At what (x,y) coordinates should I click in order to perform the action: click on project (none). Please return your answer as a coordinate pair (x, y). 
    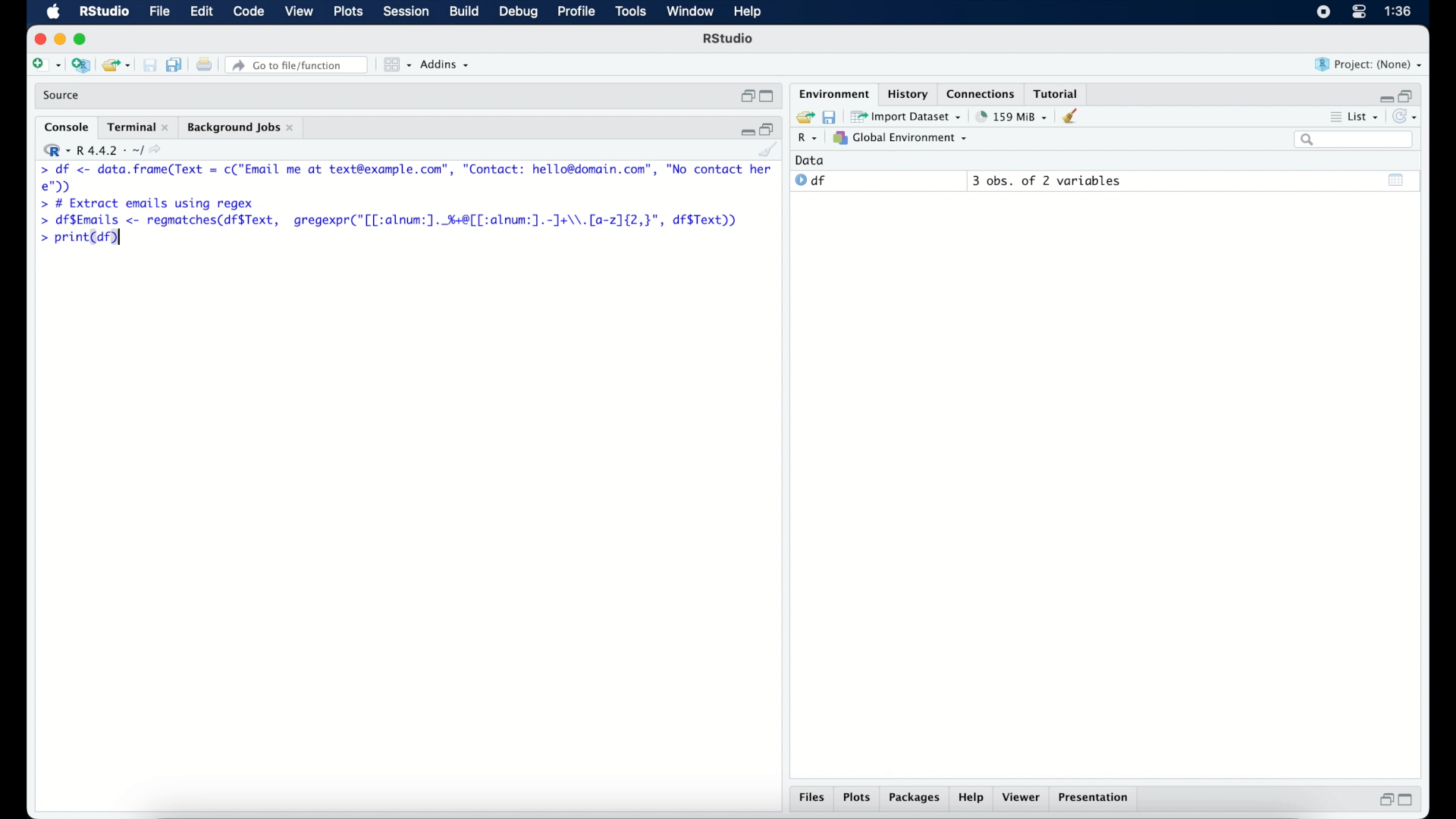
    Looking at the image, I should click on (1370, 65).